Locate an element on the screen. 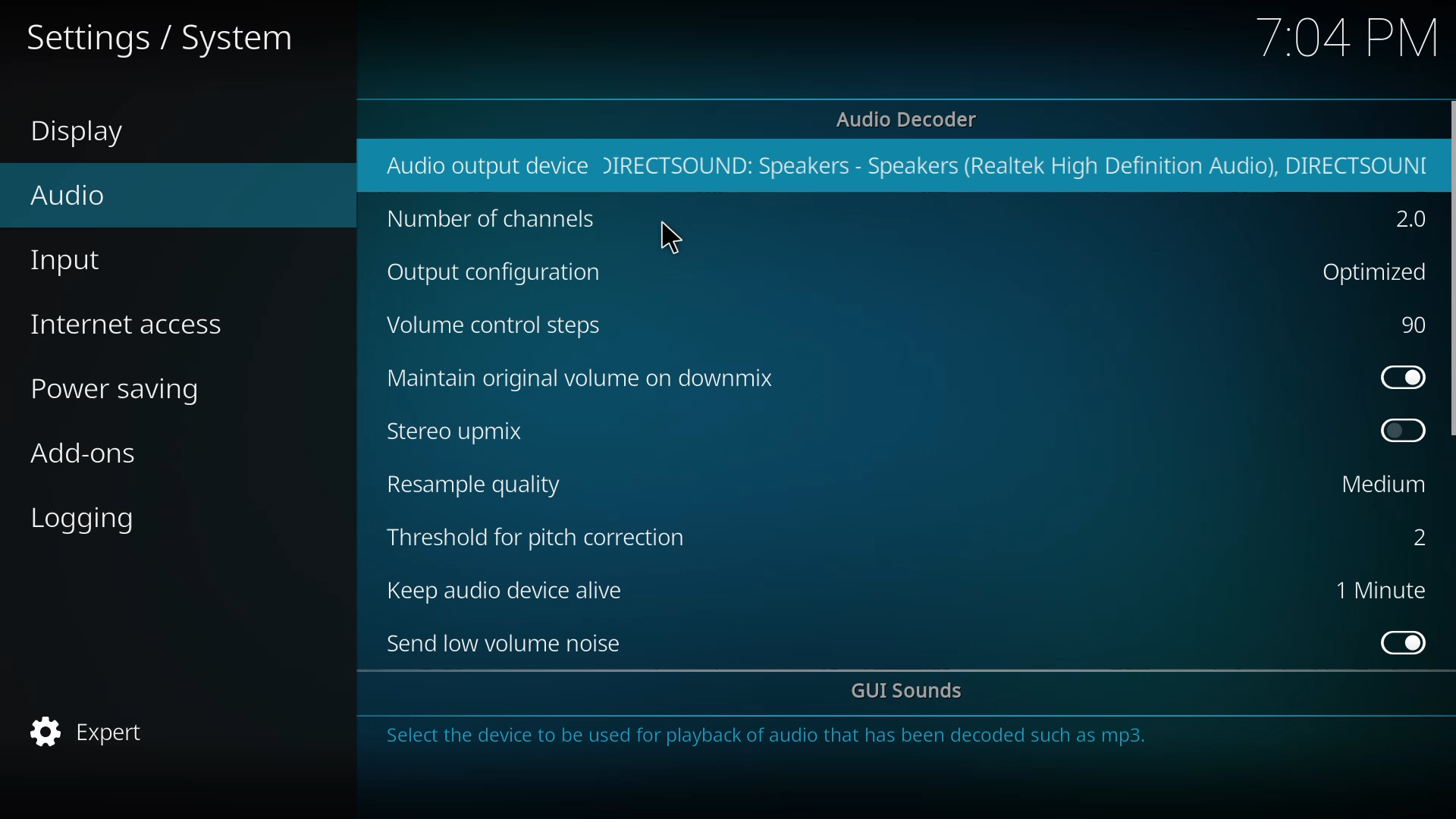  expert is located at coordinates (92, 731).